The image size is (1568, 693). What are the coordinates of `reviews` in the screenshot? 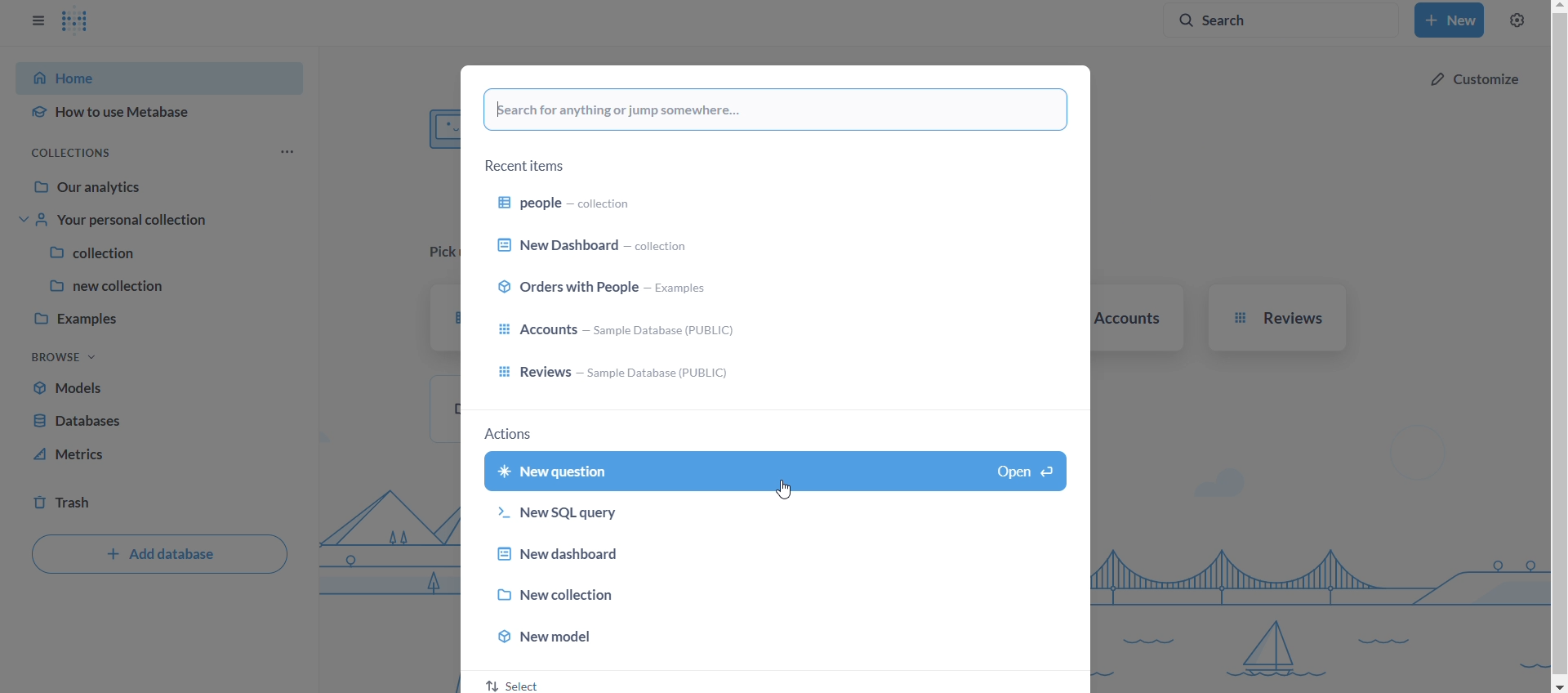 It's located at (624, 372).